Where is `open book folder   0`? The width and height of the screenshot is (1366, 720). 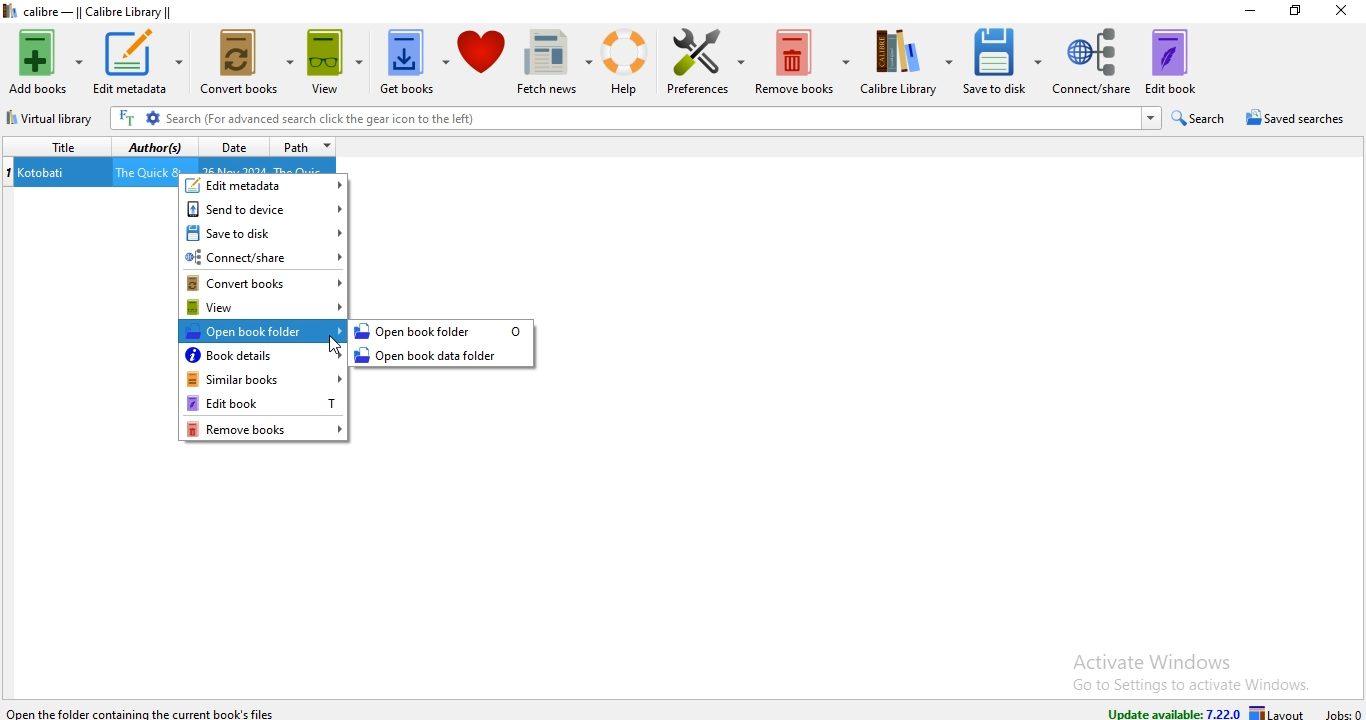
open book folder   0 is located at coordinates (441, 332).